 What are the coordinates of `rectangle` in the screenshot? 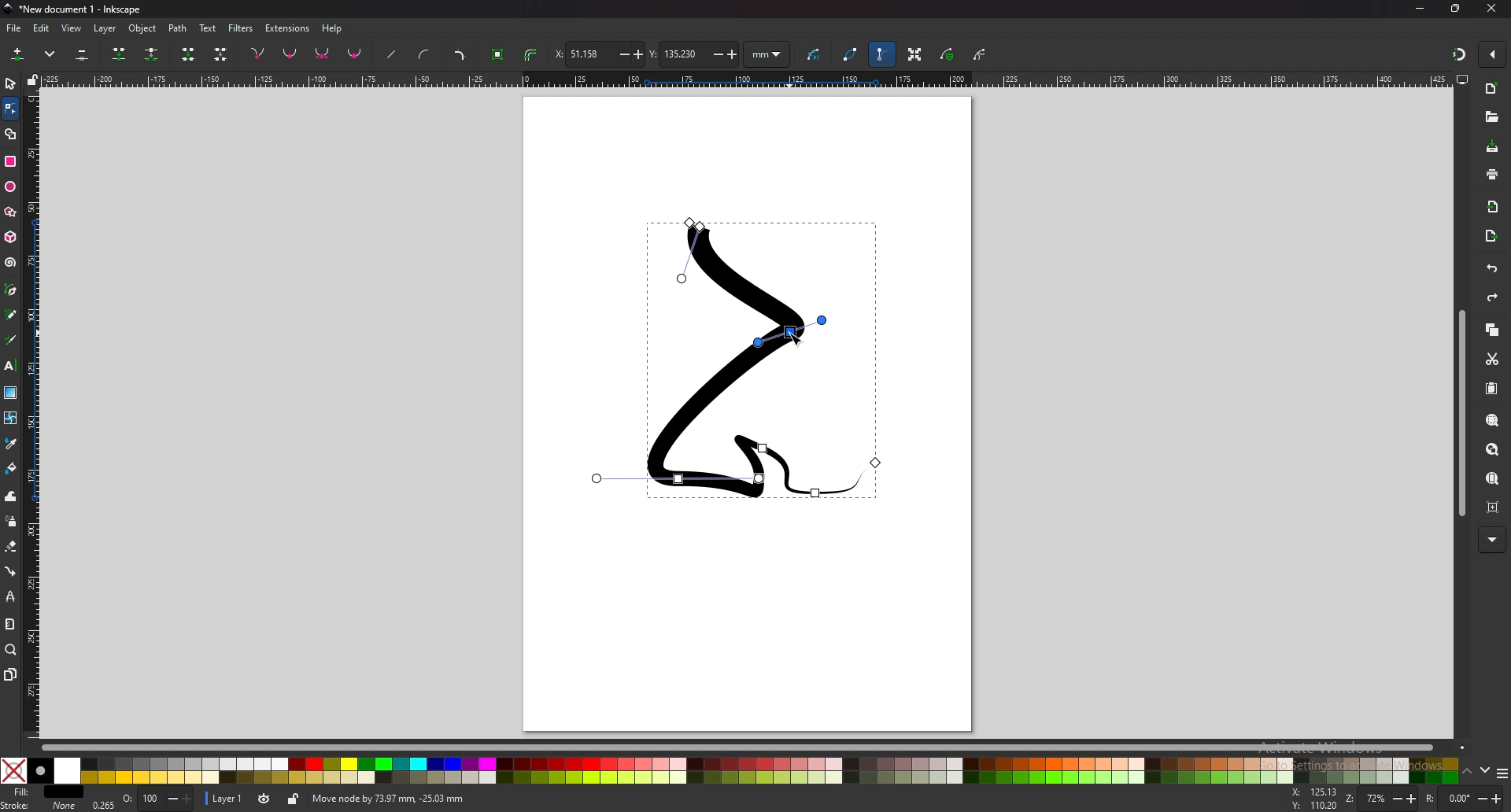 It's located at (9, 161).